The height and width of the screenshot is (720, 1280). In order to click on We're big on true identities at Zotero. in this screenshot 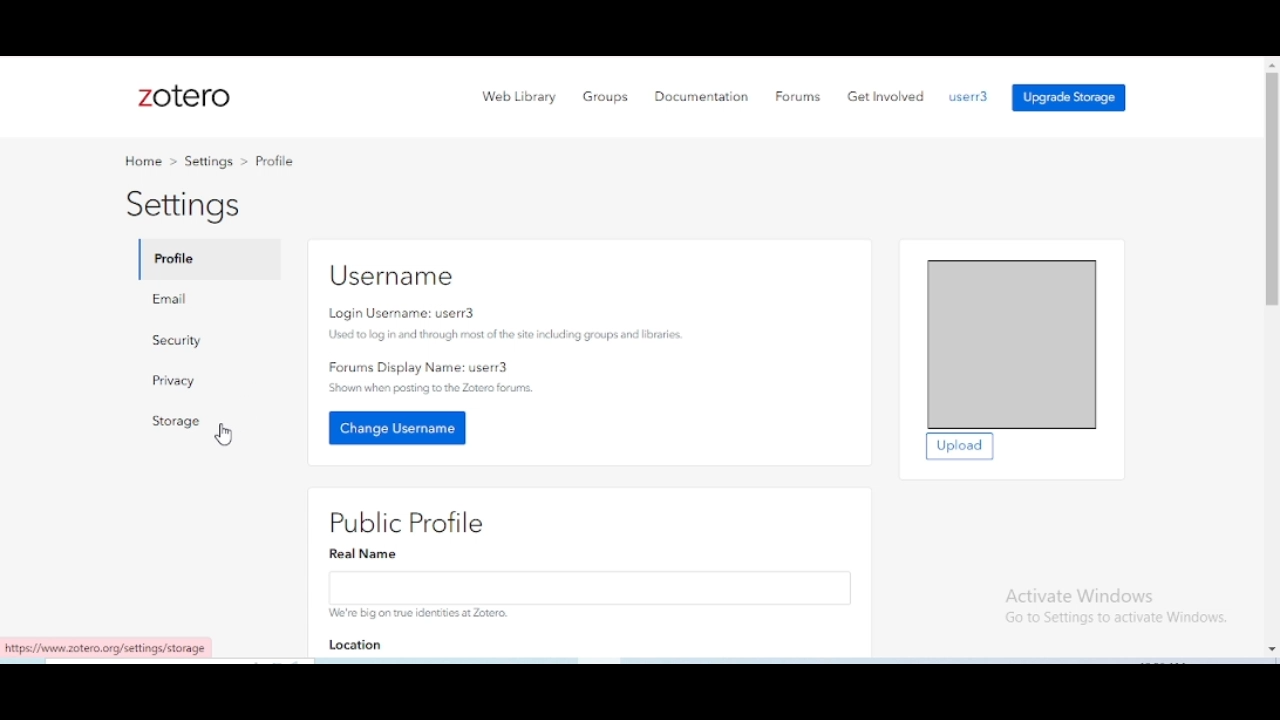, I will do `click(420, 615)`.